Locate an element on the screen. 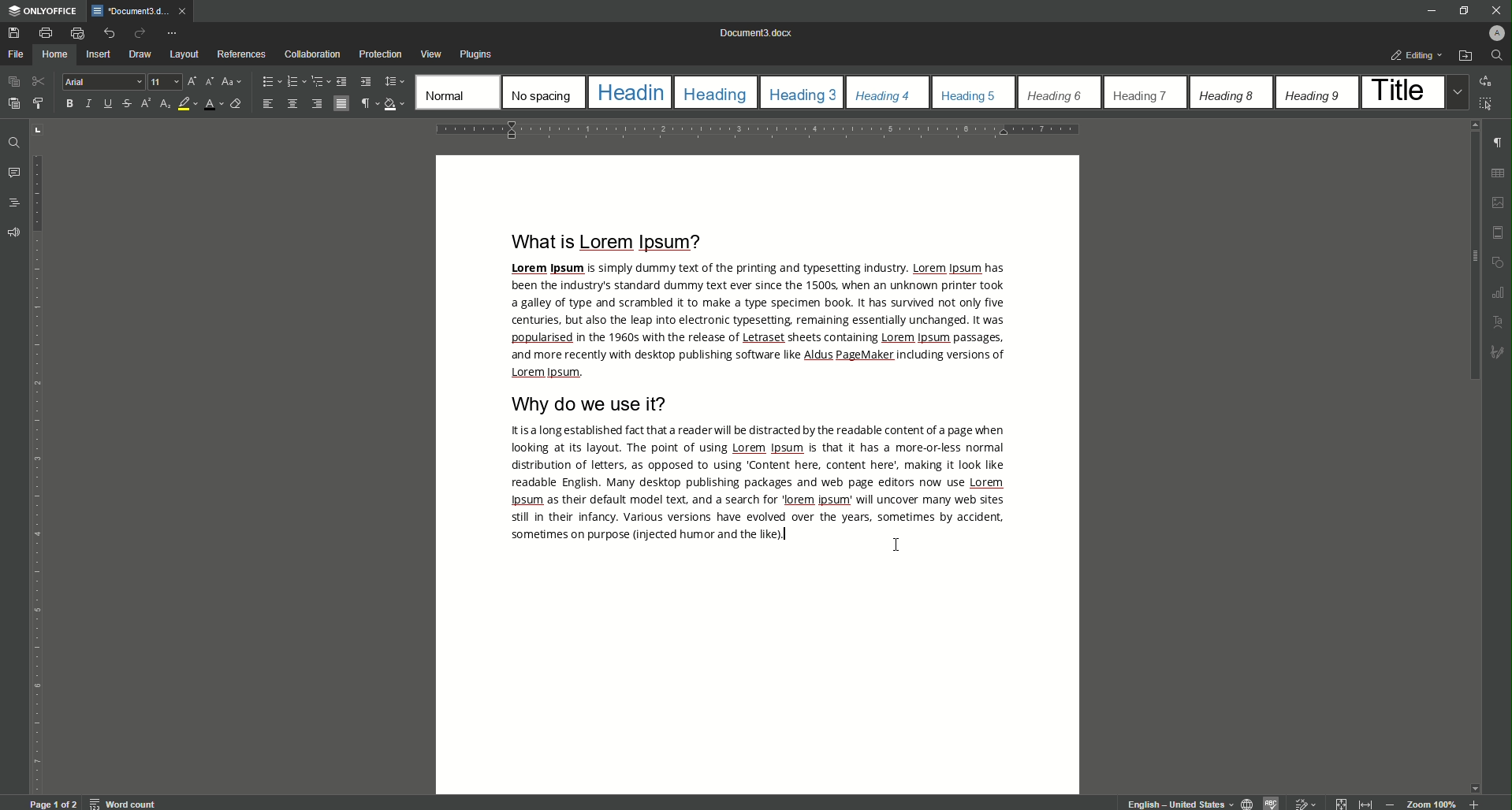  Title is located at coordinates (1398, 89).